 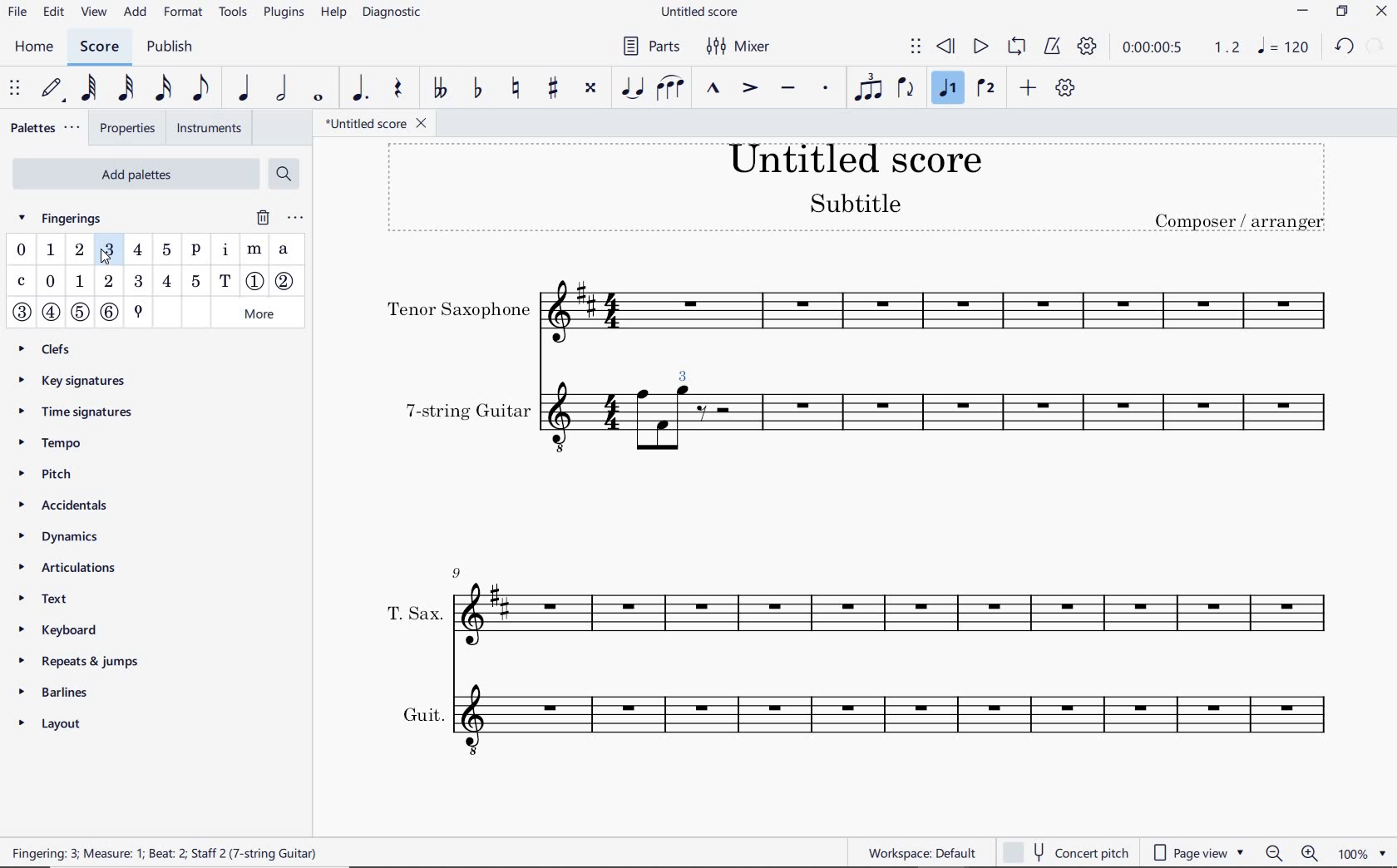 I want to click on REWIND, so click(x=945, y=47).